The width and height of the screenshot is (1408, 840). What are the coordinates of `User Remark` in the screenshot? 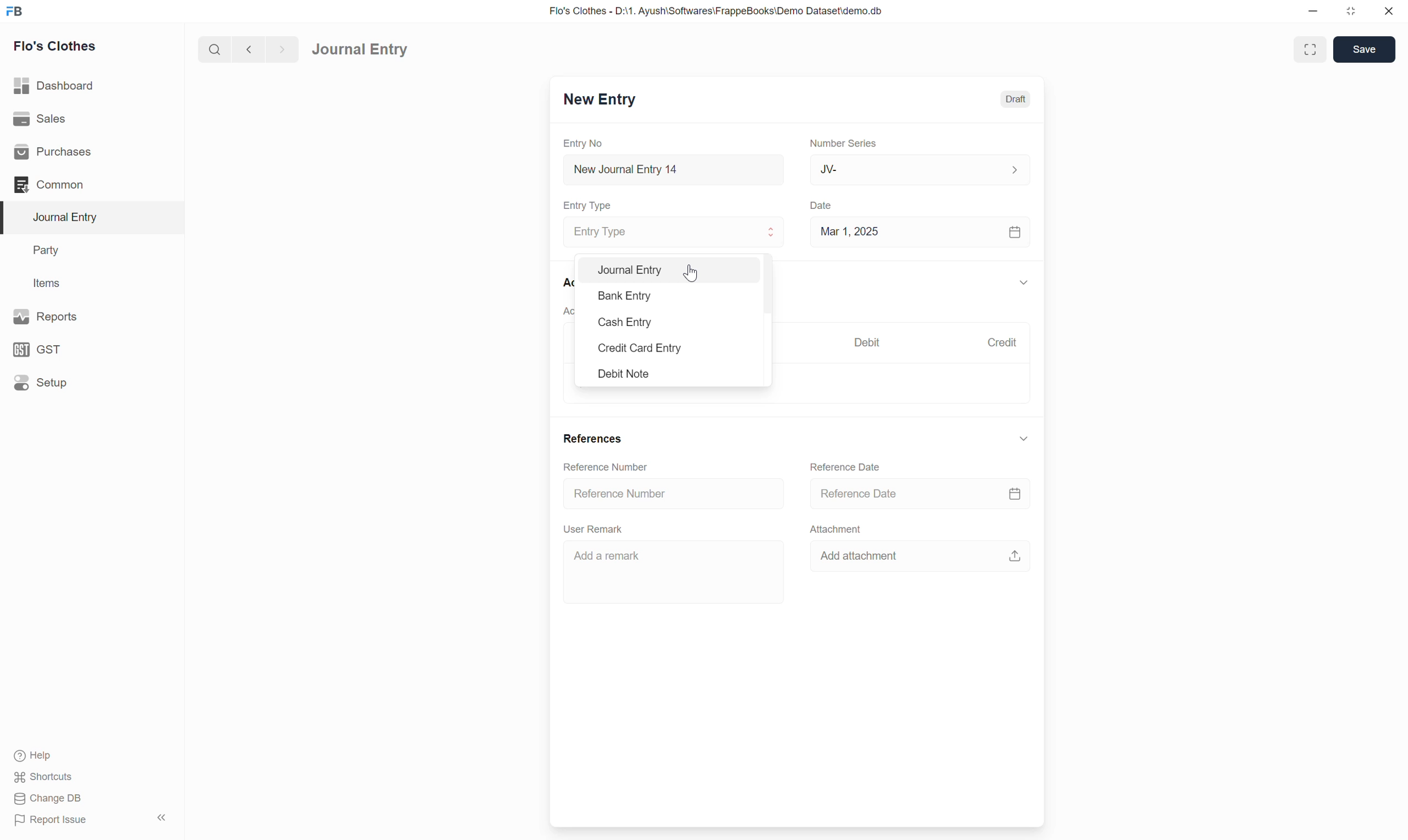 It's located at (596, 529).